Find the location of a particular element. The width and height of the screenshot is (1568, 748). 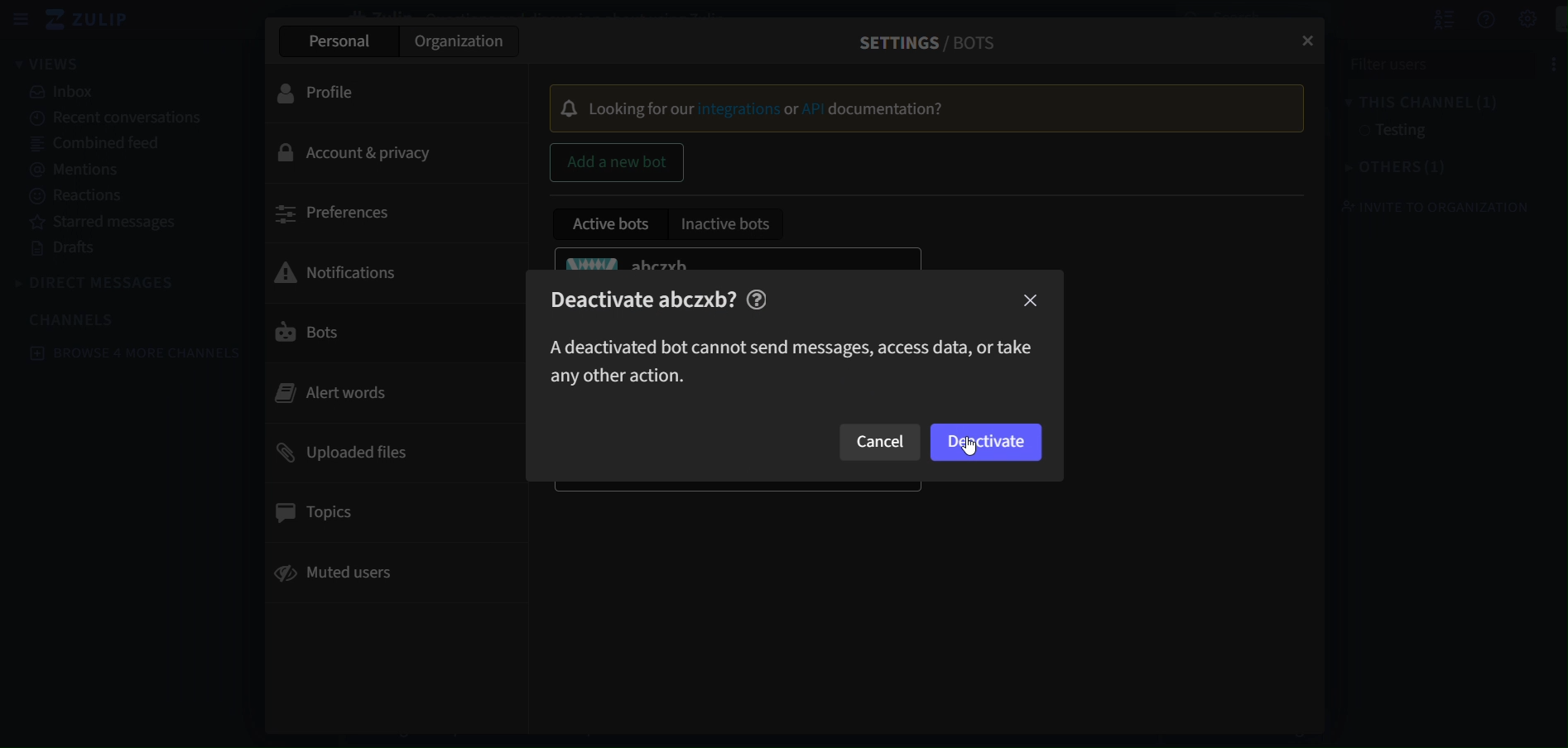

bots is located at coordinates (339, 332).